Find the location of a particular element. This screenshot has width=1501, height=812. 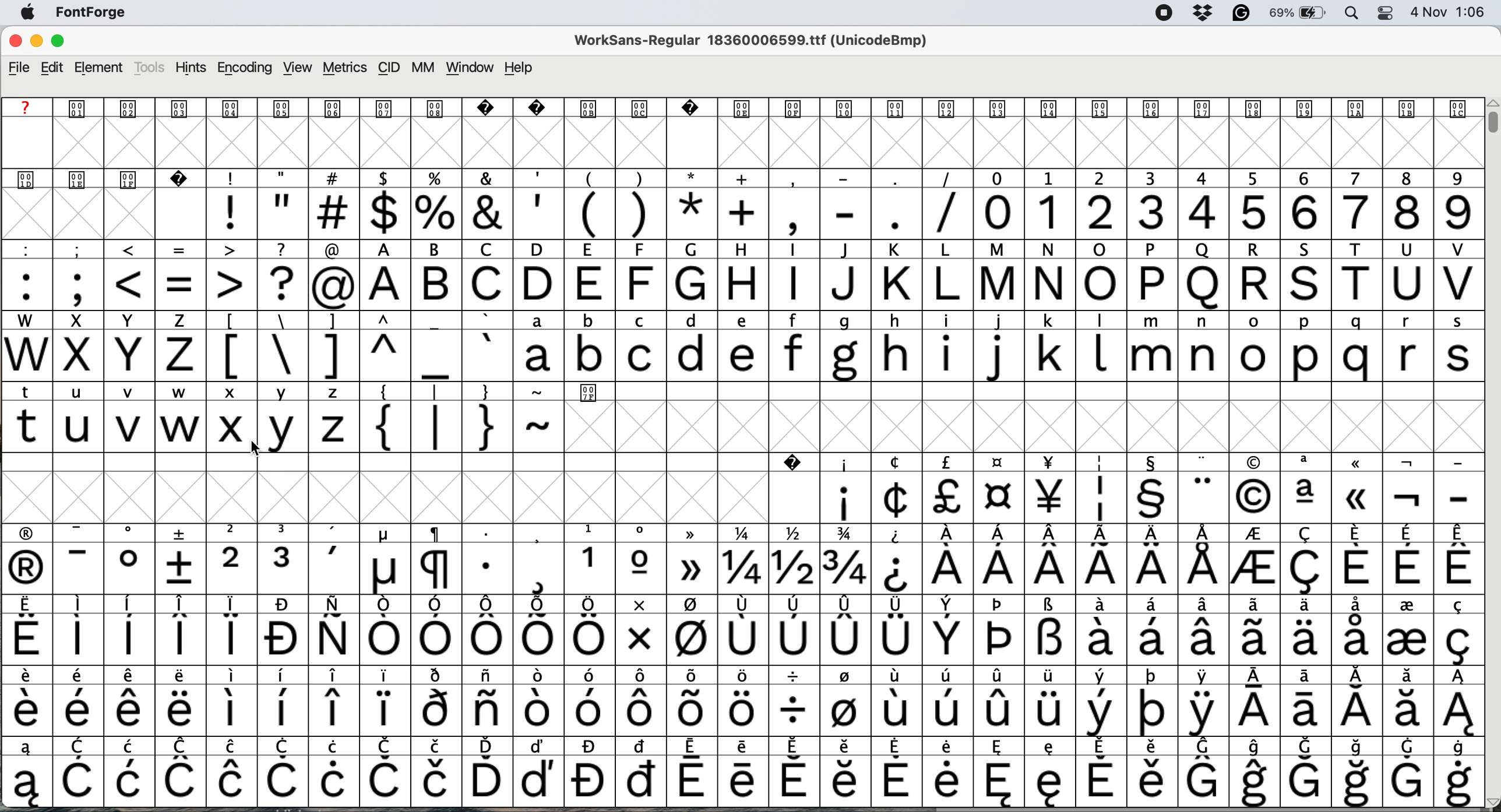

window is located at coordinates (469, 68).